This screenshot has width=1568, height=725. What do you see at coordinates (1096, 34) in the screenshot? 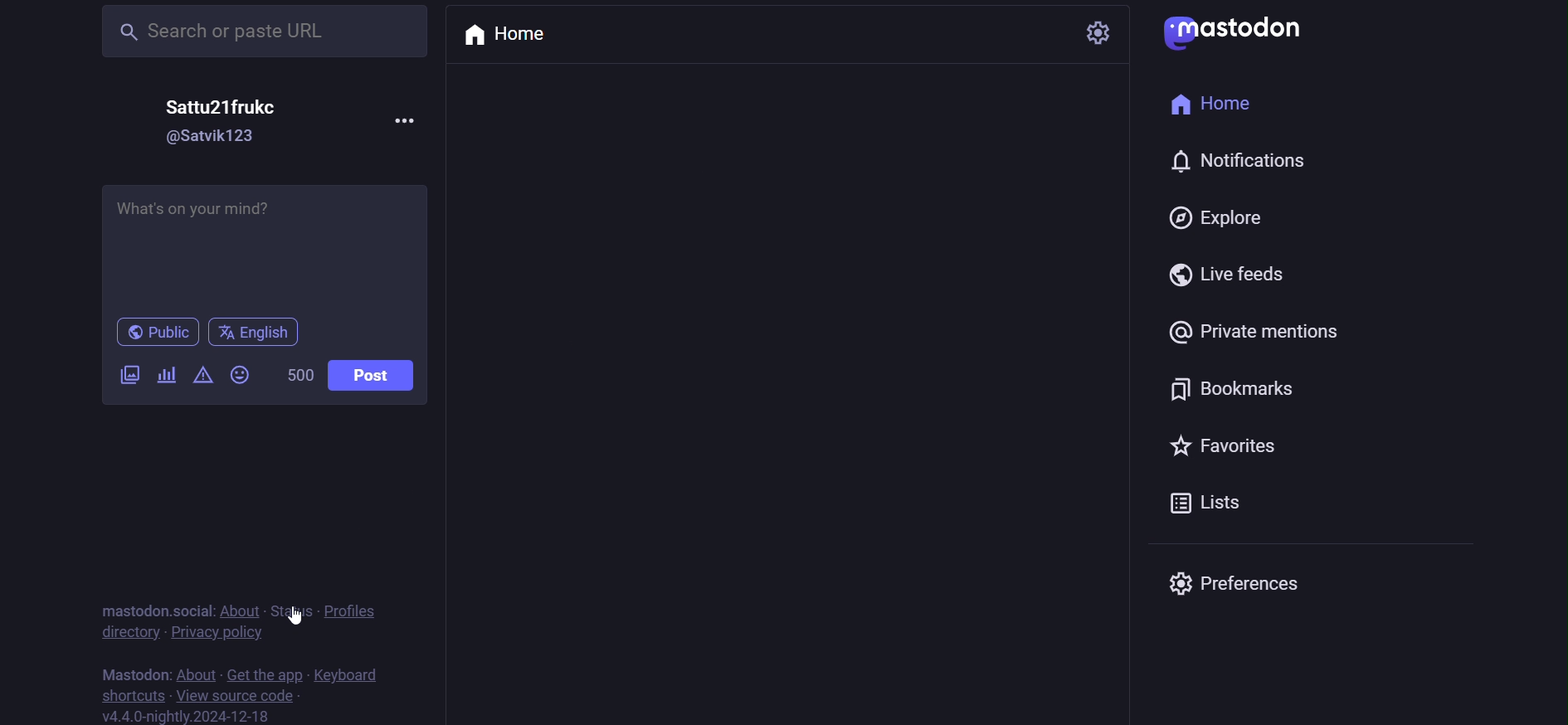
I see `setting ` at bounding box center [1096, 34].